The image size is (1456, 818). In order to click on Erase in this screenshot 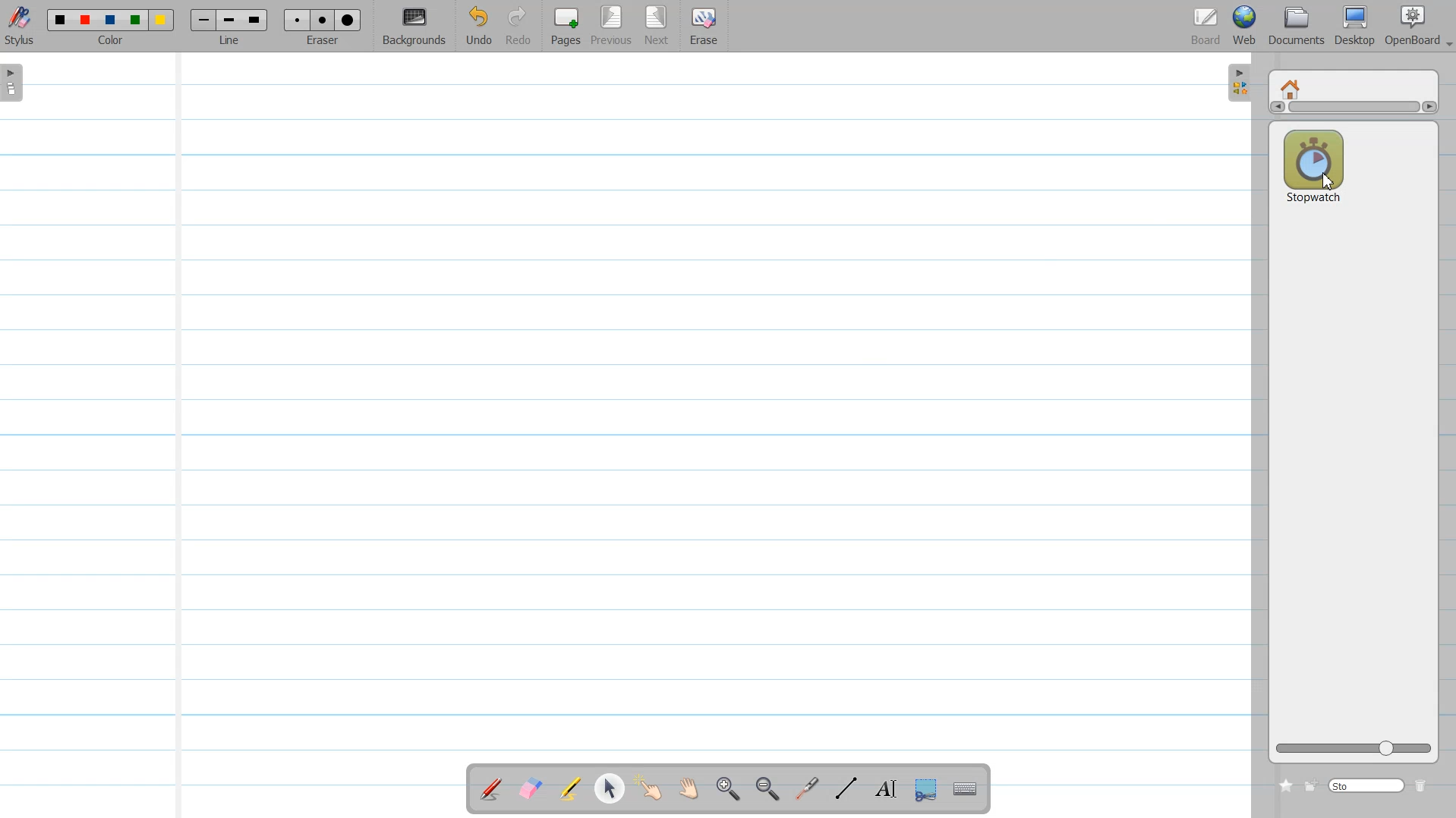, I will do `click(704, 27)`.